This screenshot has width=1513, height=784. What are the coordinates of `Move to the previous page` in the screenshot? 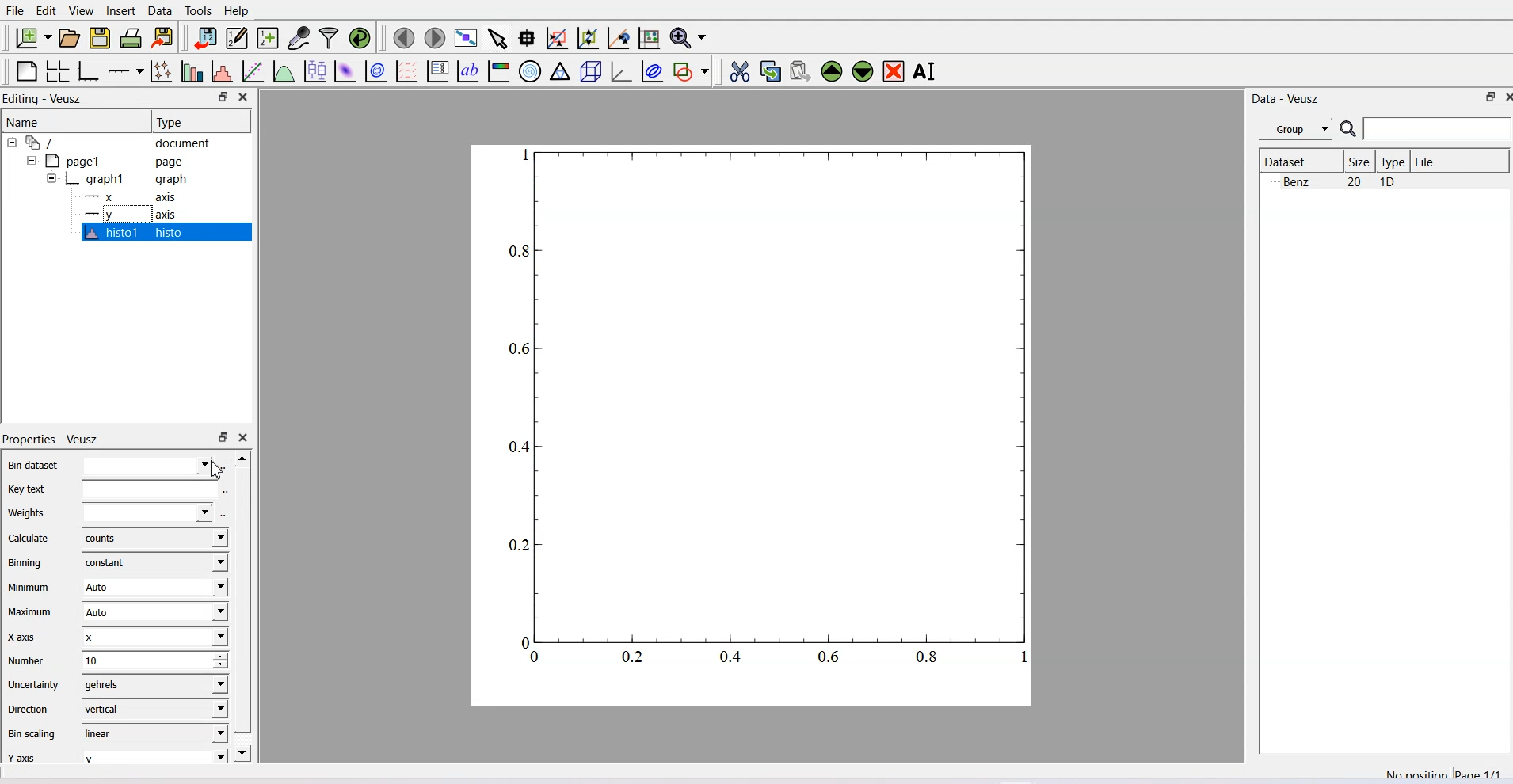 It's located at (403, 38).